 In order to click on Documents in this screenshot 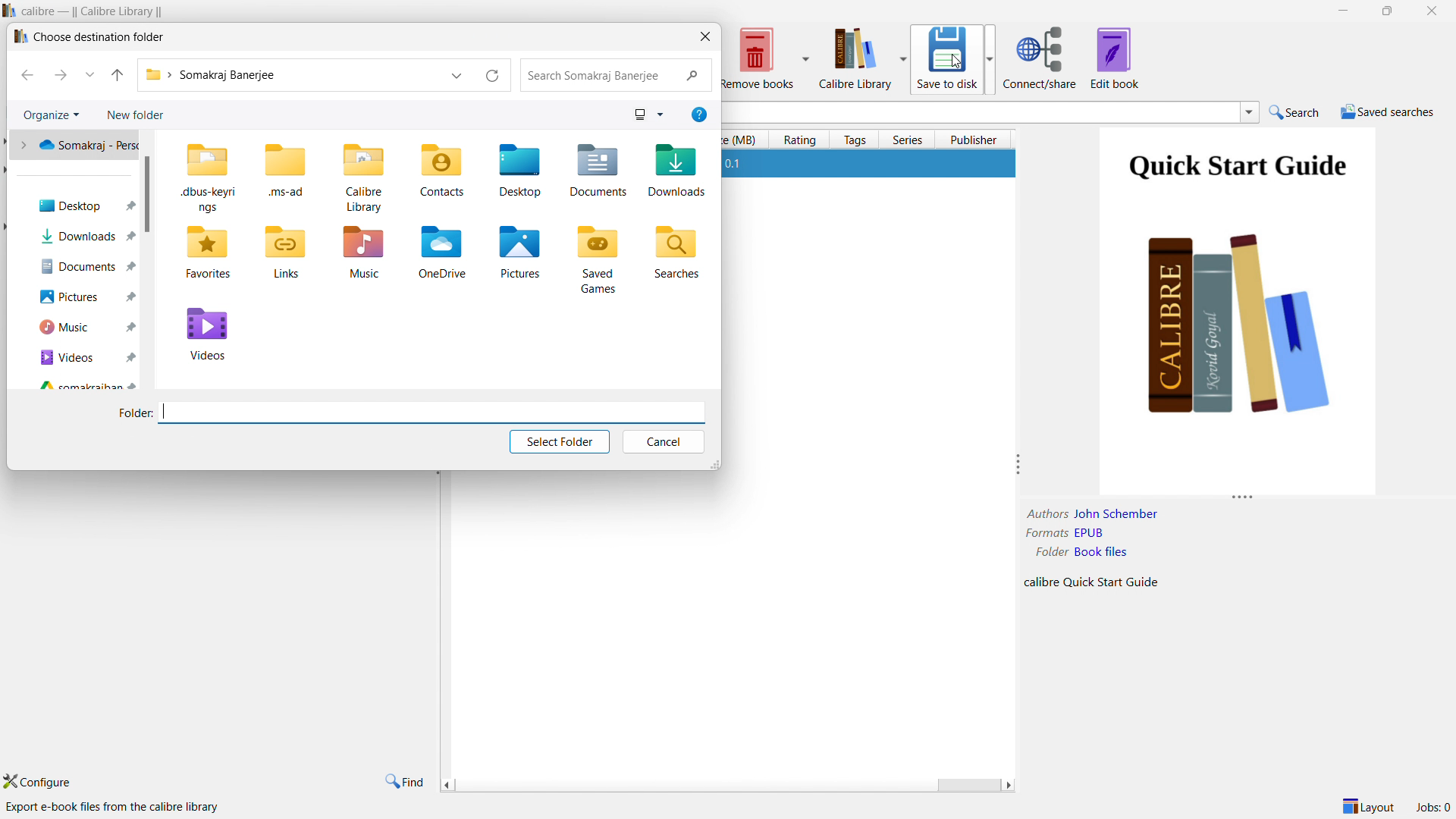, I will do `click(602, 172)`.